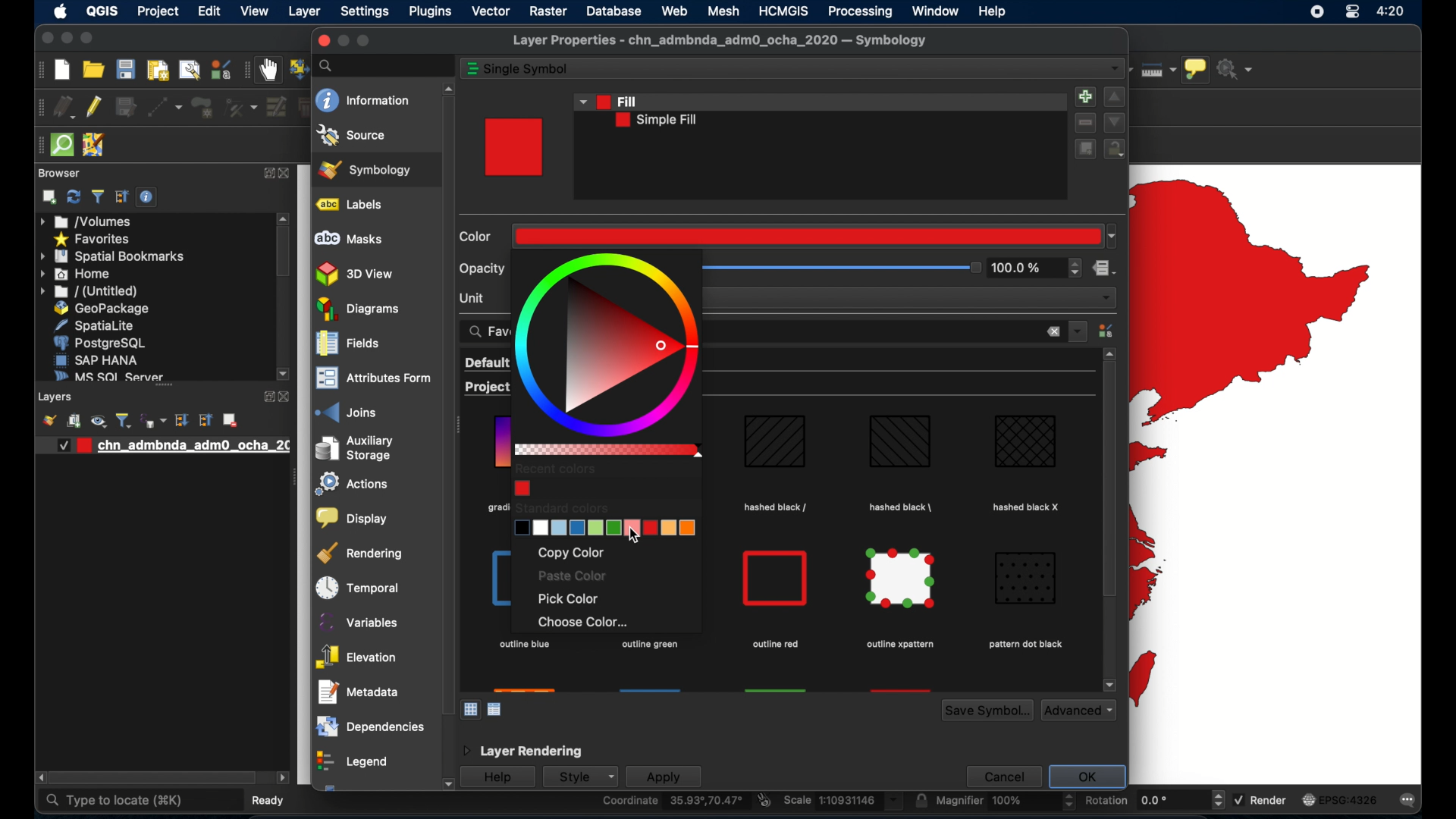 The image size is (1456, 819). I want to click on legend, so click(351, 763).